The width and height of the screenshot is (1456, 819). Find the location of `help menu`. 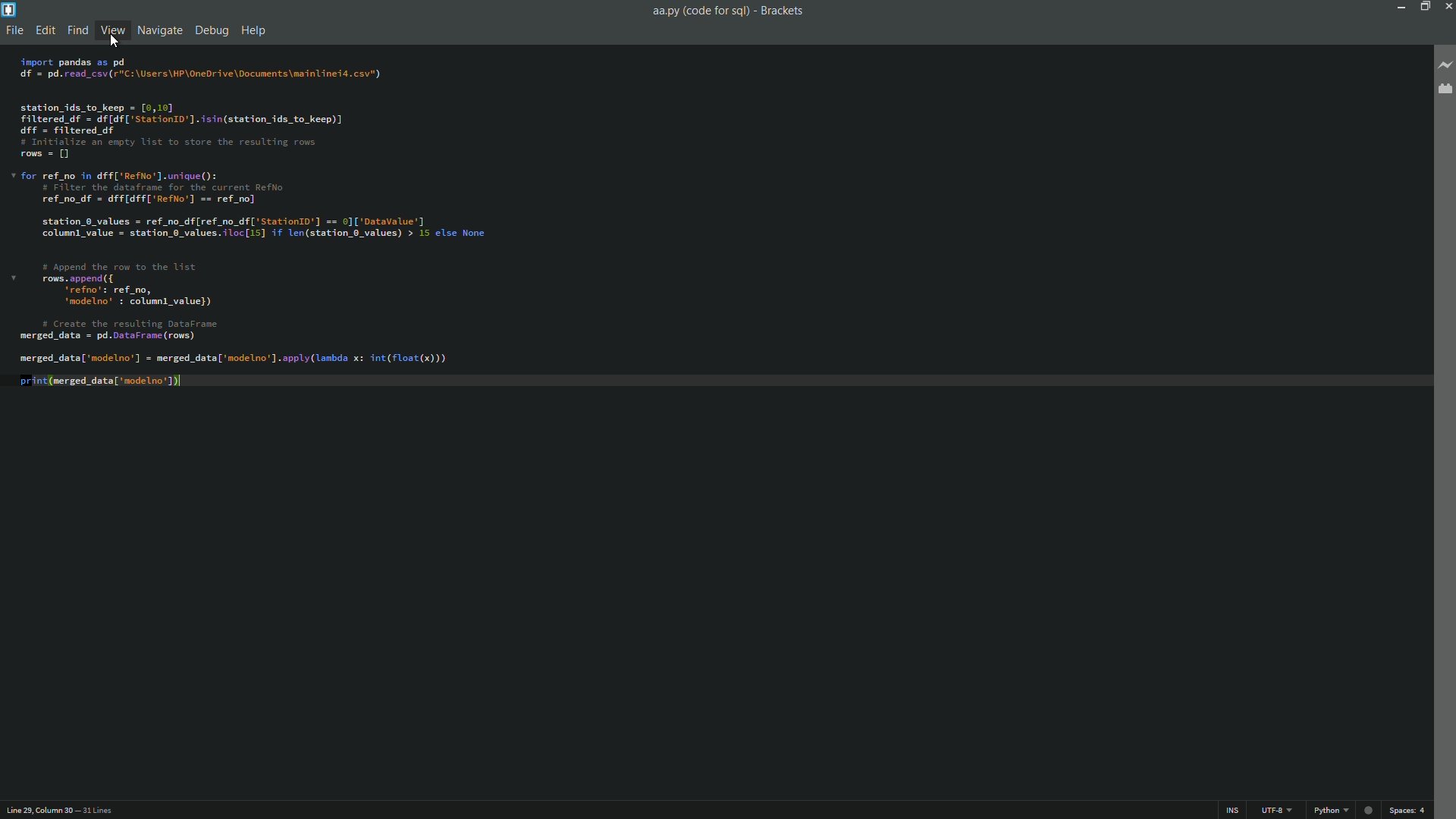

help menu is located at coordinates (253, 31).